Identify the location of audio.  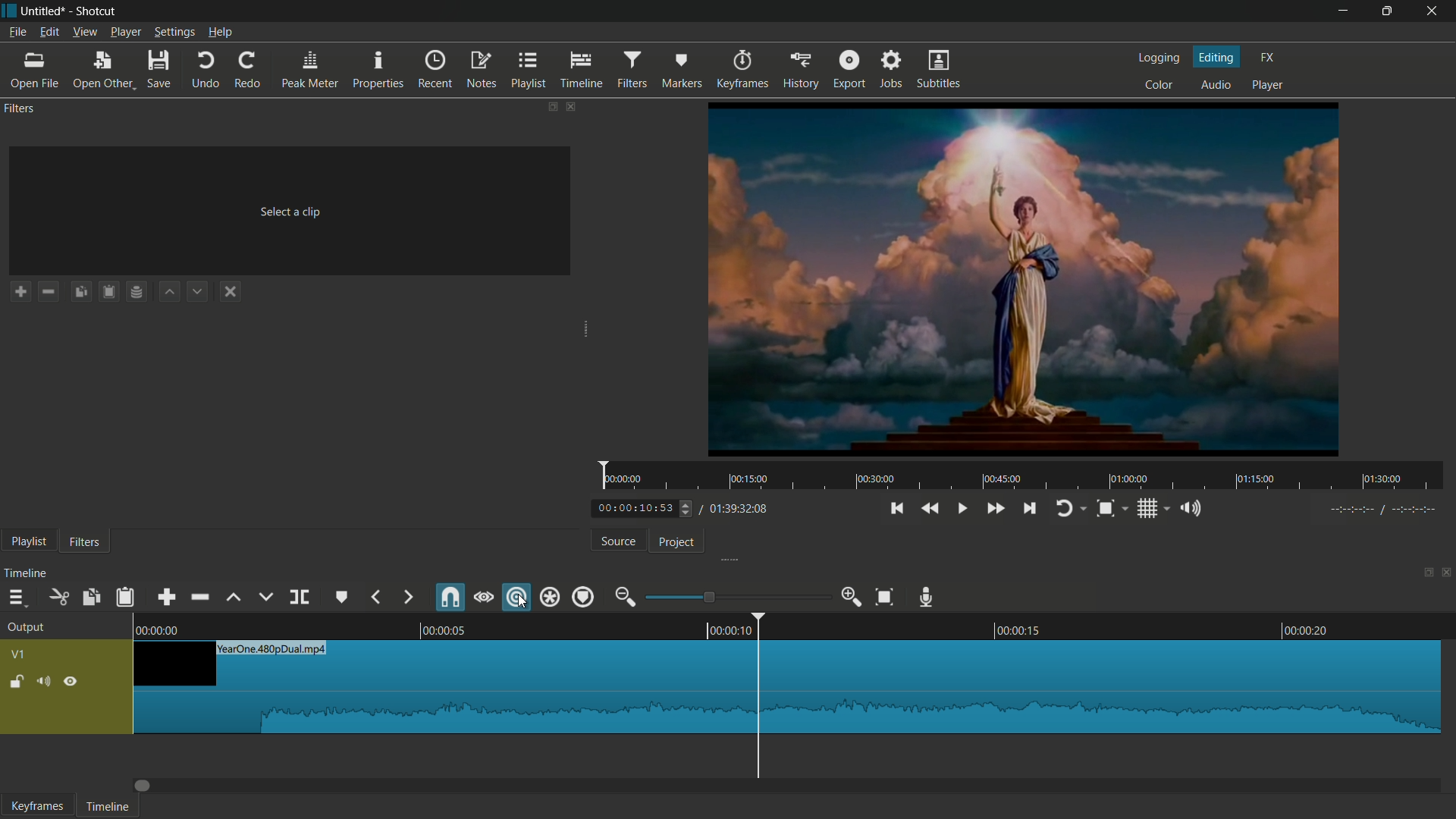
(1214, 83).